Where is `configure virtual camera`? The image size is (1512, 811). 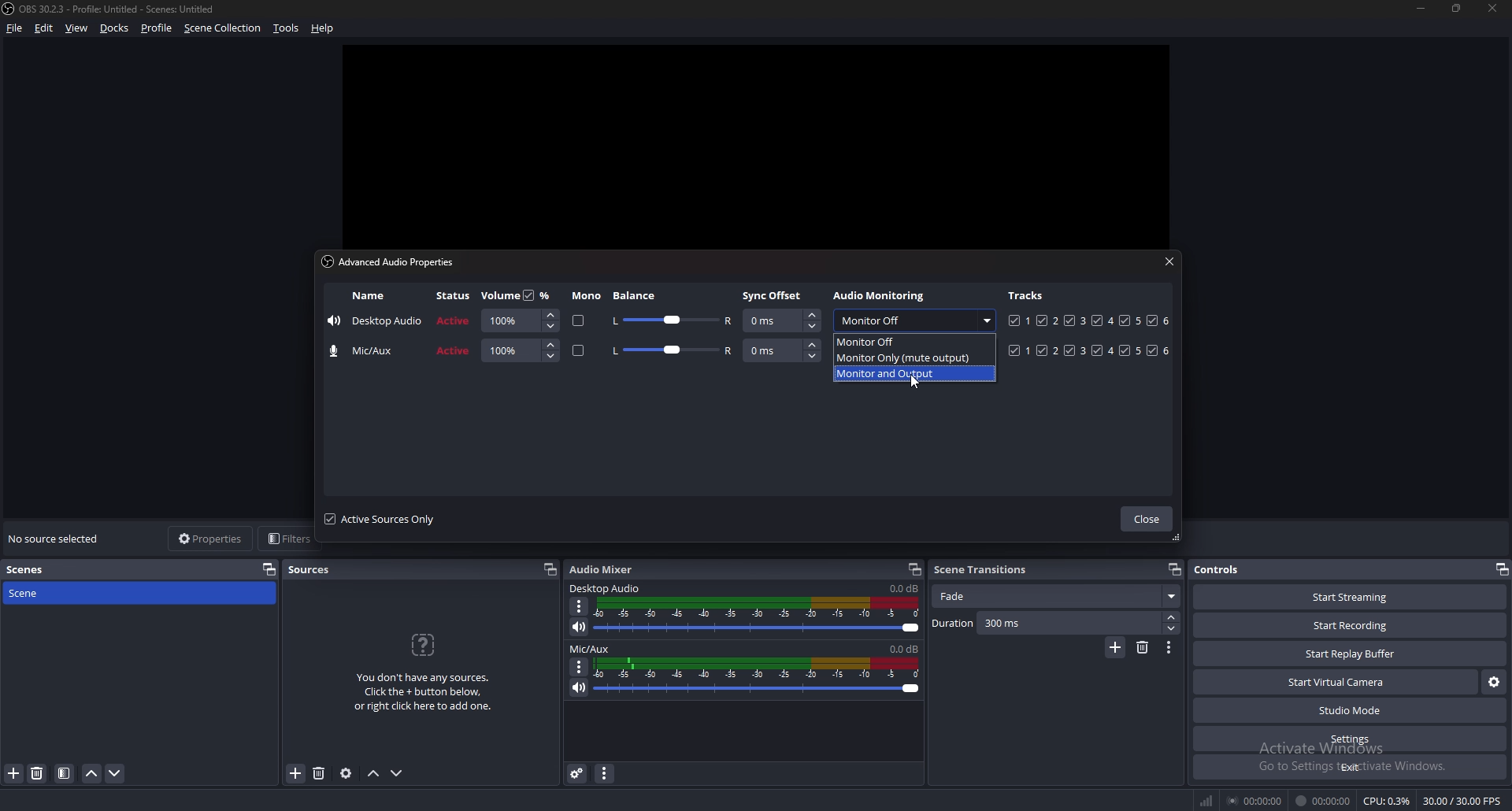
configure virtual camera is located at coordinates (1494, 683).